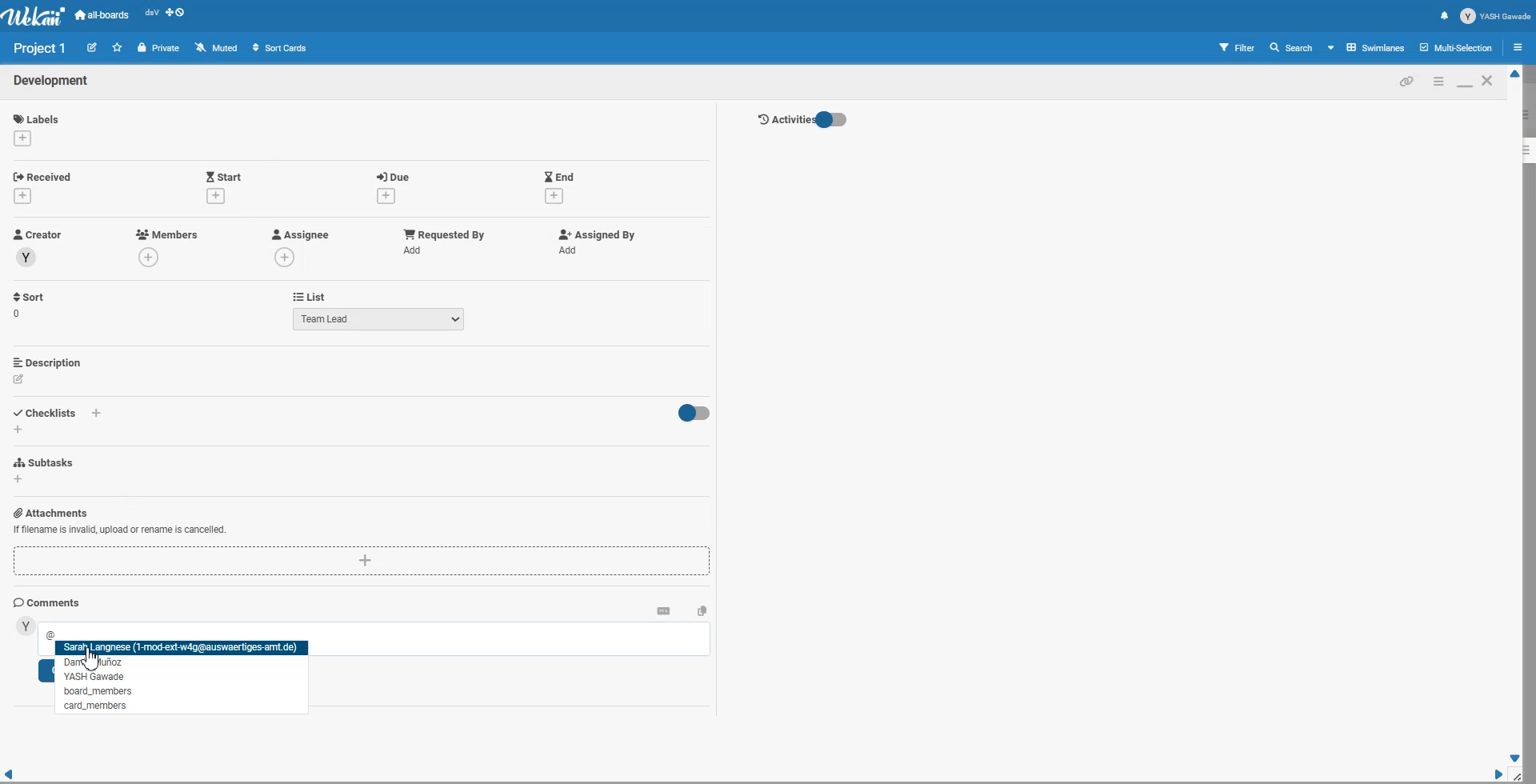  Describe the element at coordinates (1367, 47) in the screenshot. I see `Board View` at that location.